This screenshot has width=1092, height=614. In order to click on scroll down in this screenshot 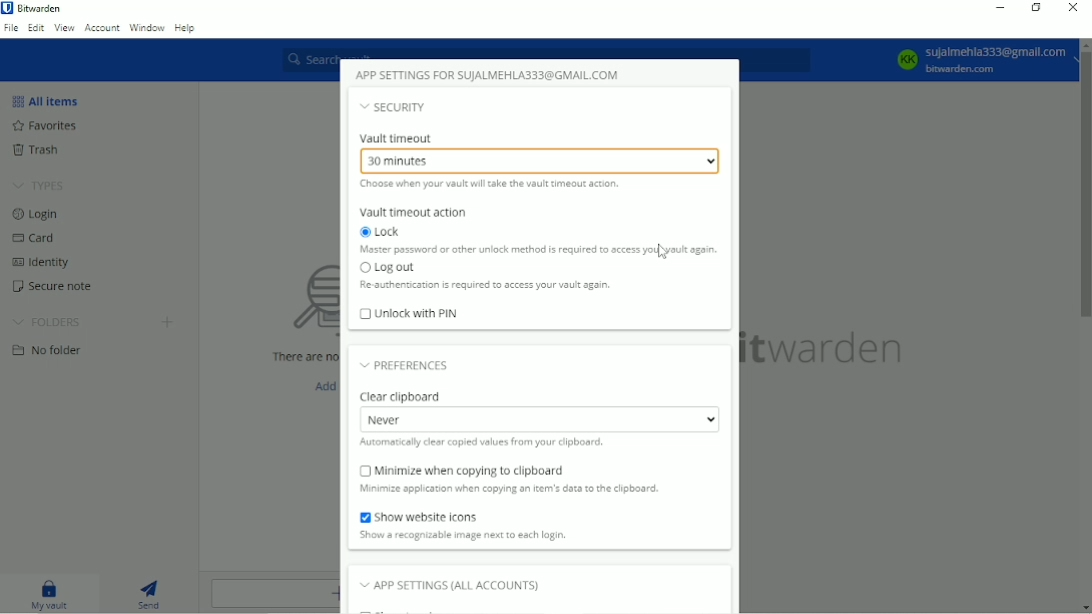, I will do `click(1084, 608)`.